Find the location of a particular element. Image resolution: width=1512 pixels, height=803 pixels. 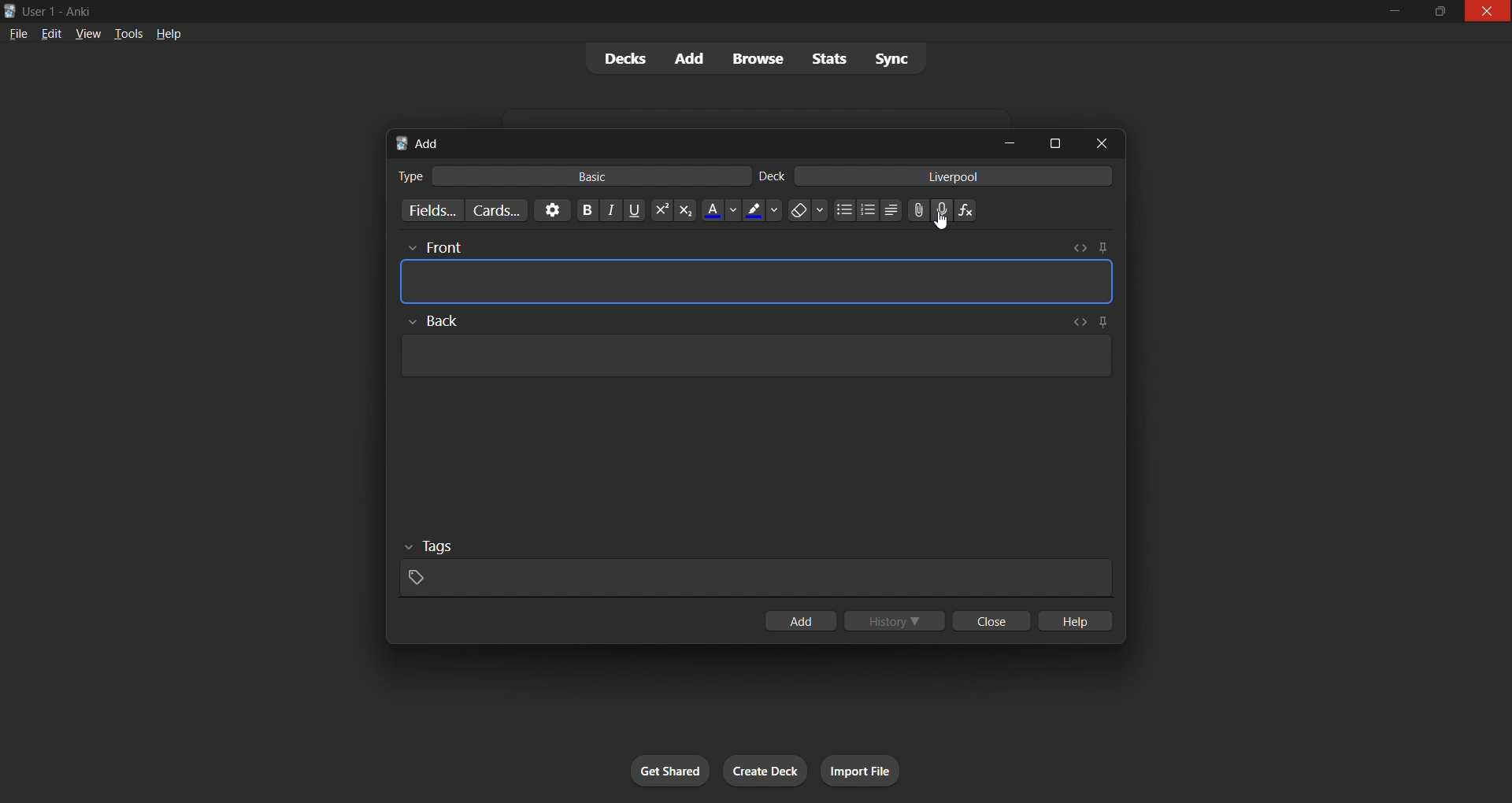

cursor is located at coordinates (943, 220).